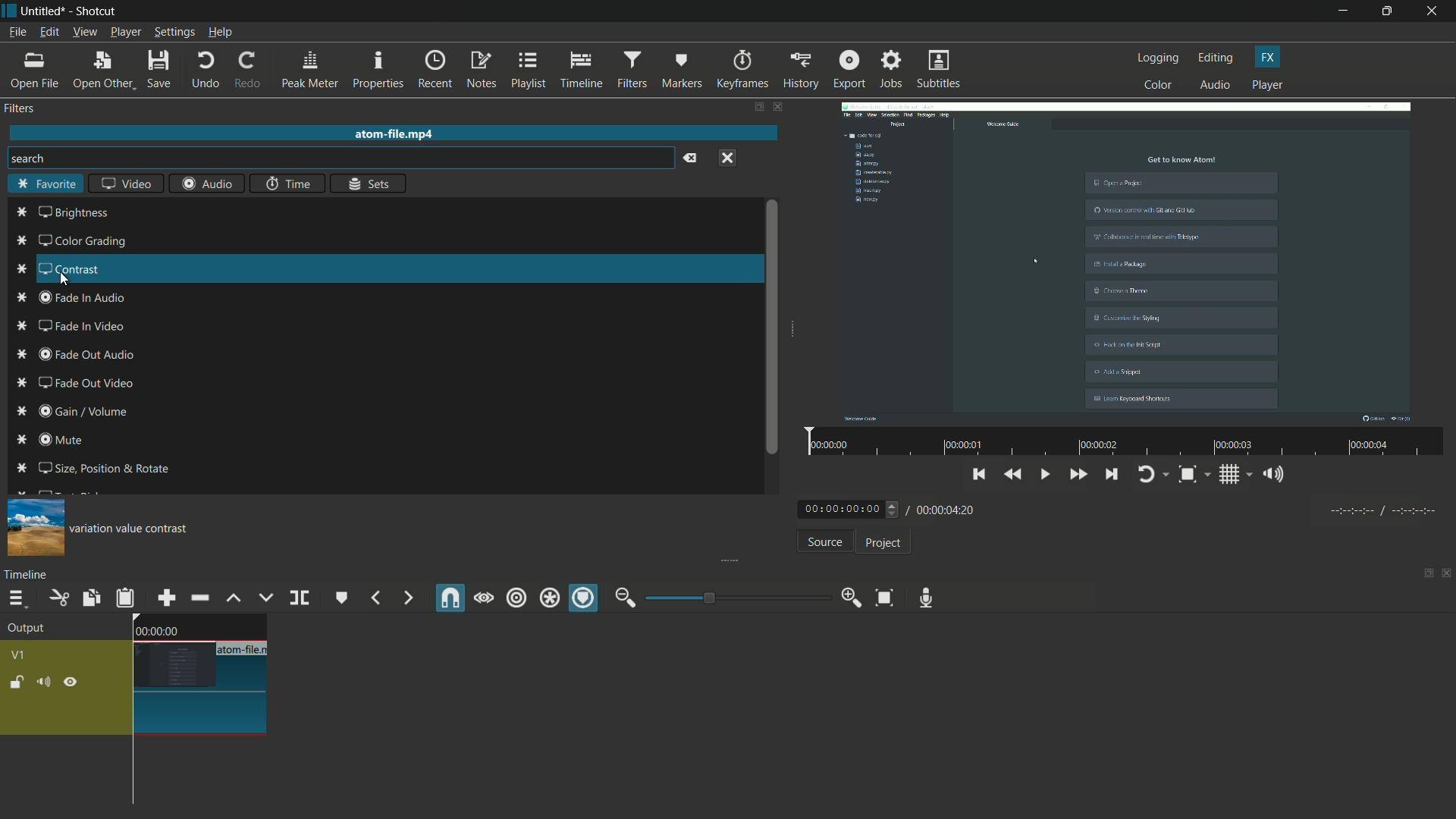 Image resolution: width=1456 pixels, height=819 pixels. Describe the element at coordinates (940, 71) in the screenshot. I see `subtitles` at that location.